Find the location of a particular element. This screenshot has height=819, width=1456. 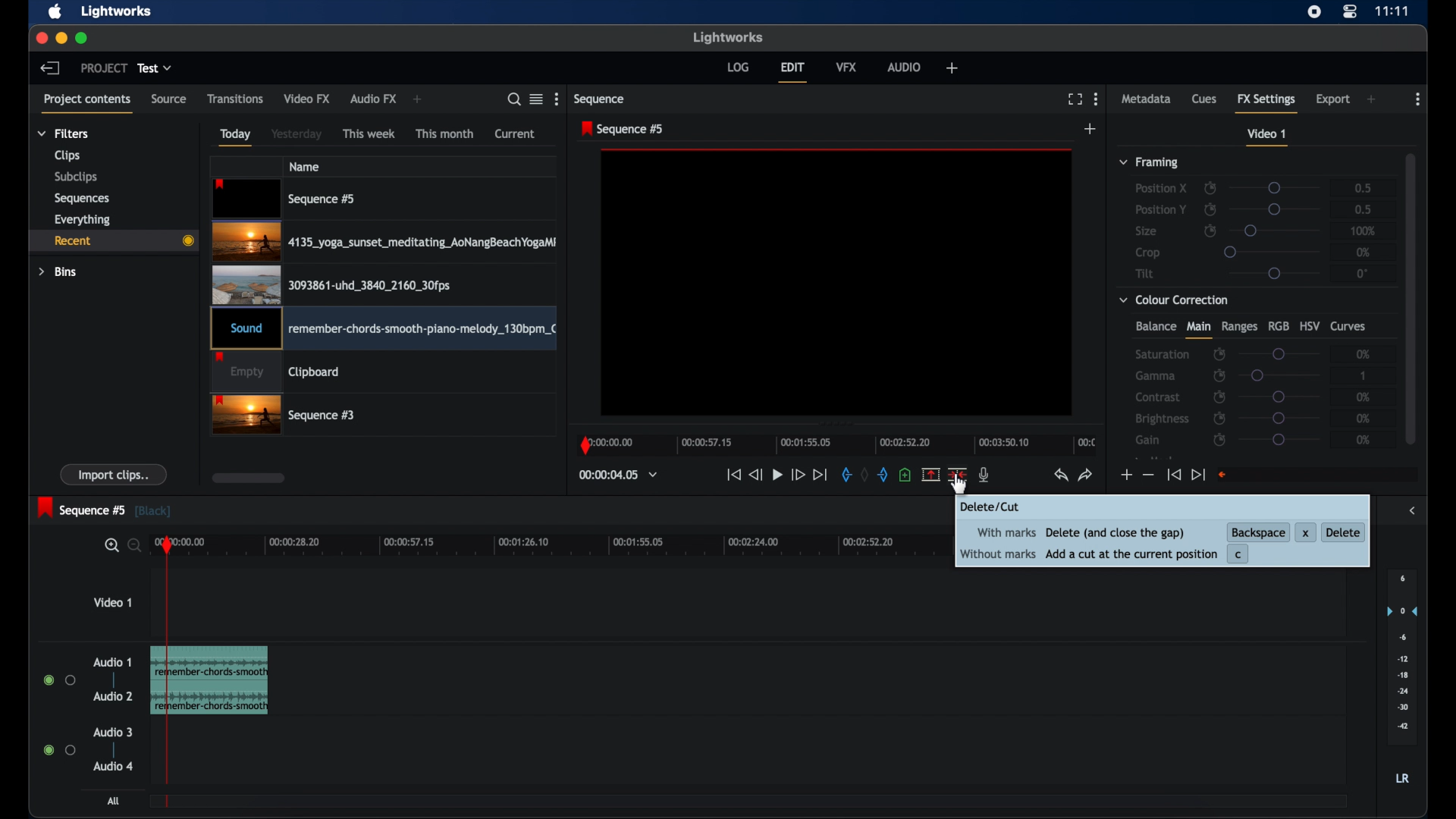

brightness is located at coordinates (1163, 419).